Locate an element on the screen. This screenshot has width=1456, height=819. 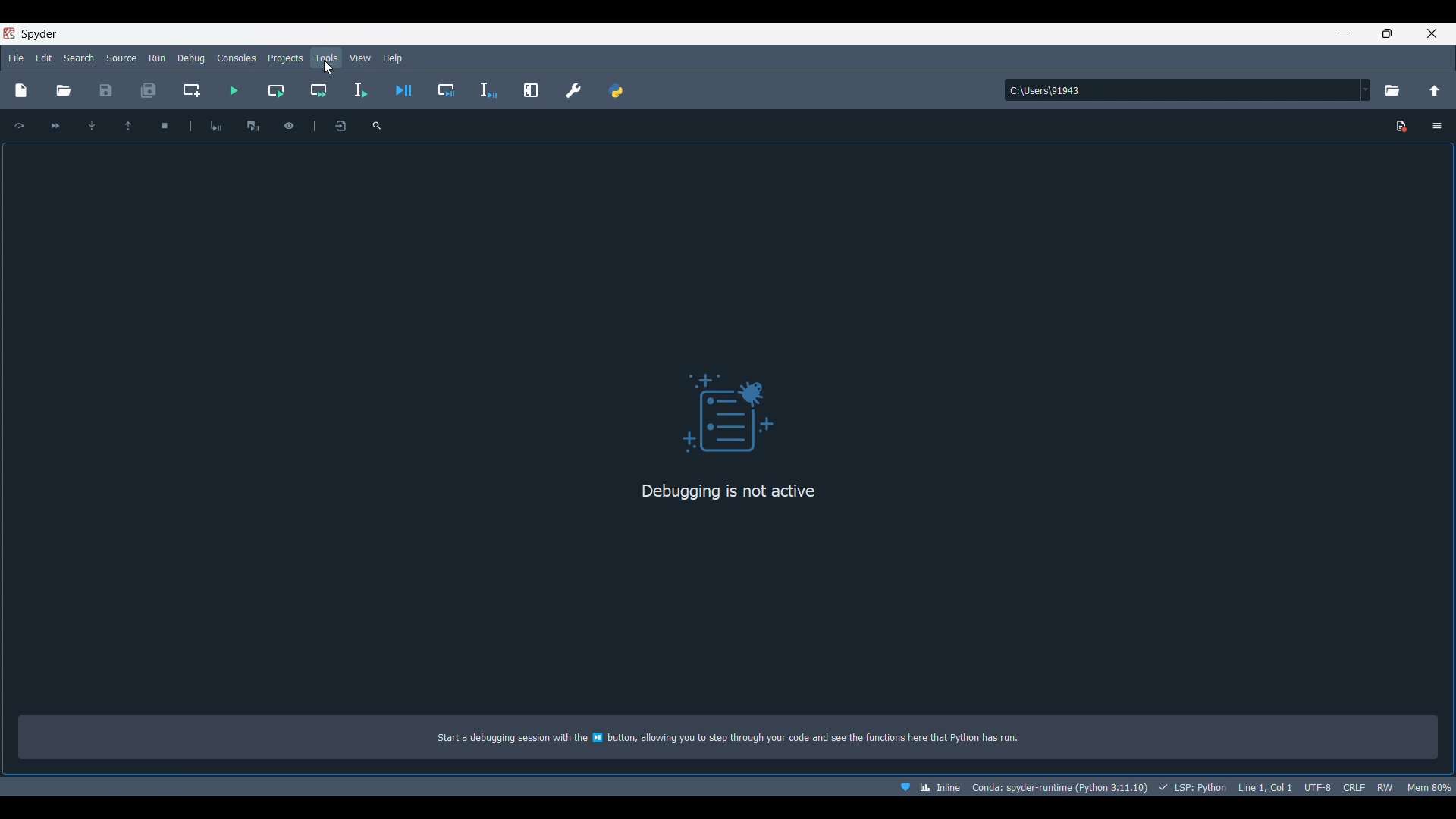
Preferences is located at coordinates (573, 90).